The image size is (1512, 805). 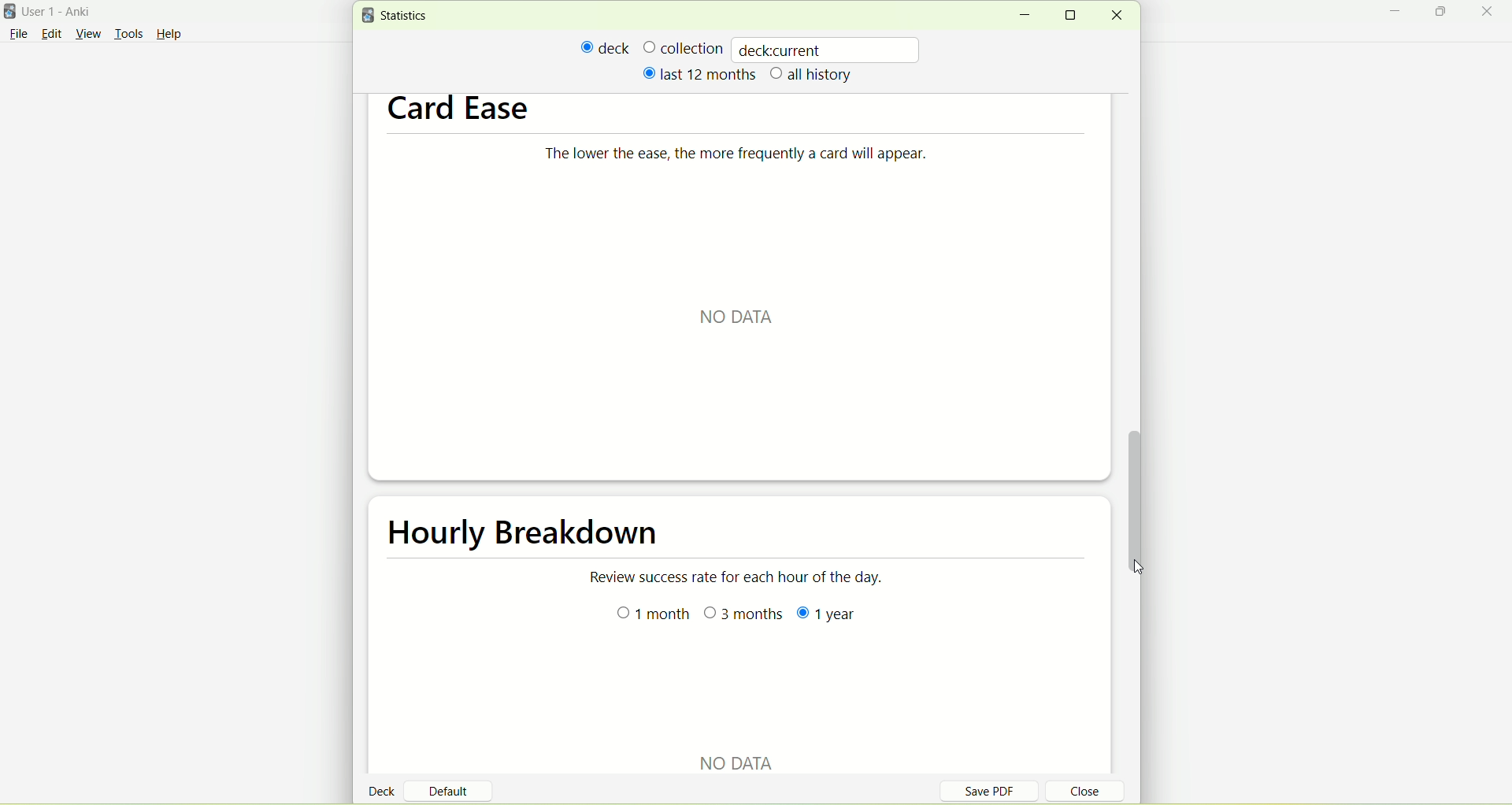 I want to click on maximize, so click(x=1443, y=14).